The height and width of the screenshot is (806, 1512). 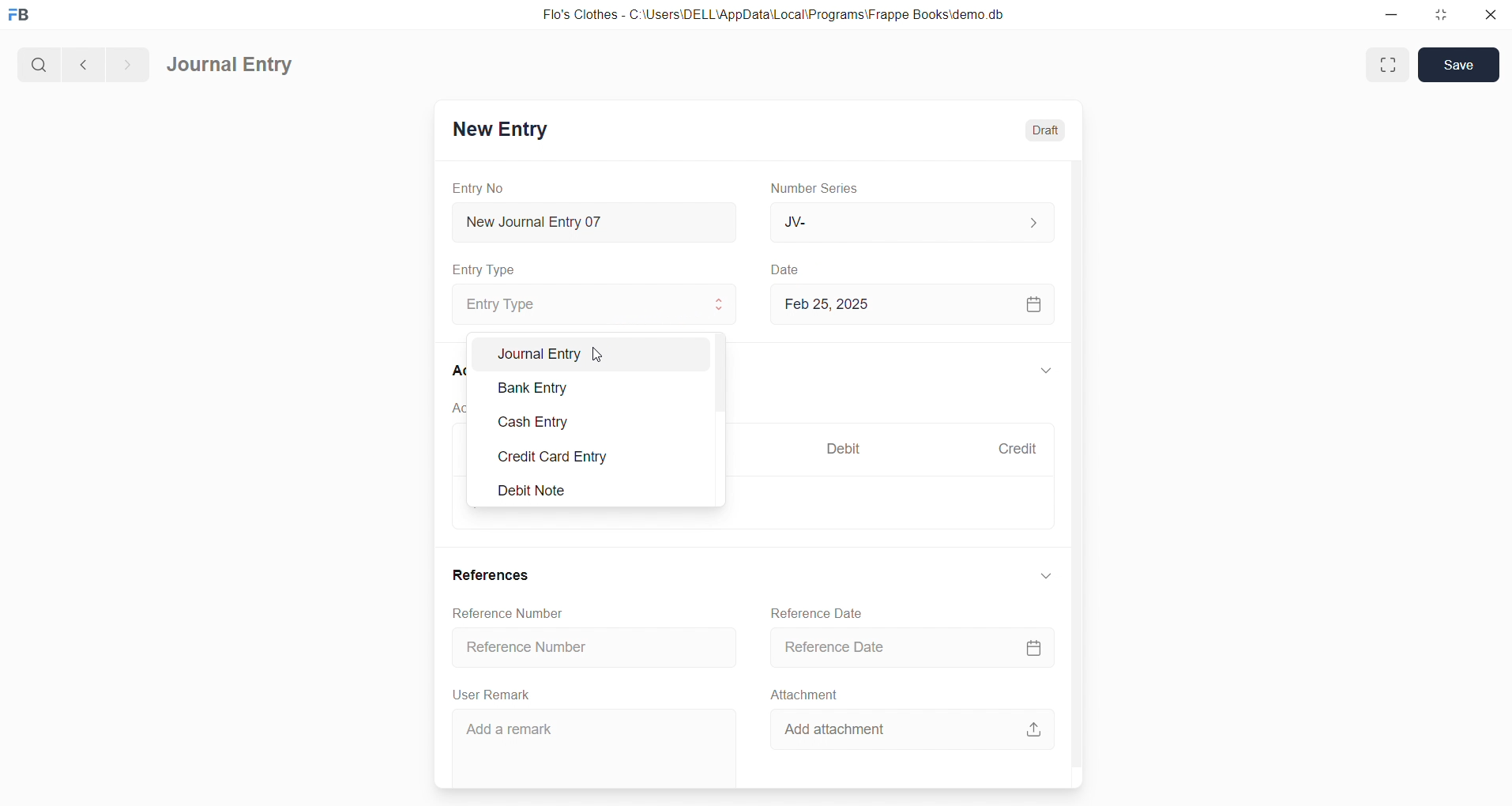 What do you see at coordinates (724, 421) in the screenshot?
I see `vertical scroll bar` at bounding box center [724, 421].